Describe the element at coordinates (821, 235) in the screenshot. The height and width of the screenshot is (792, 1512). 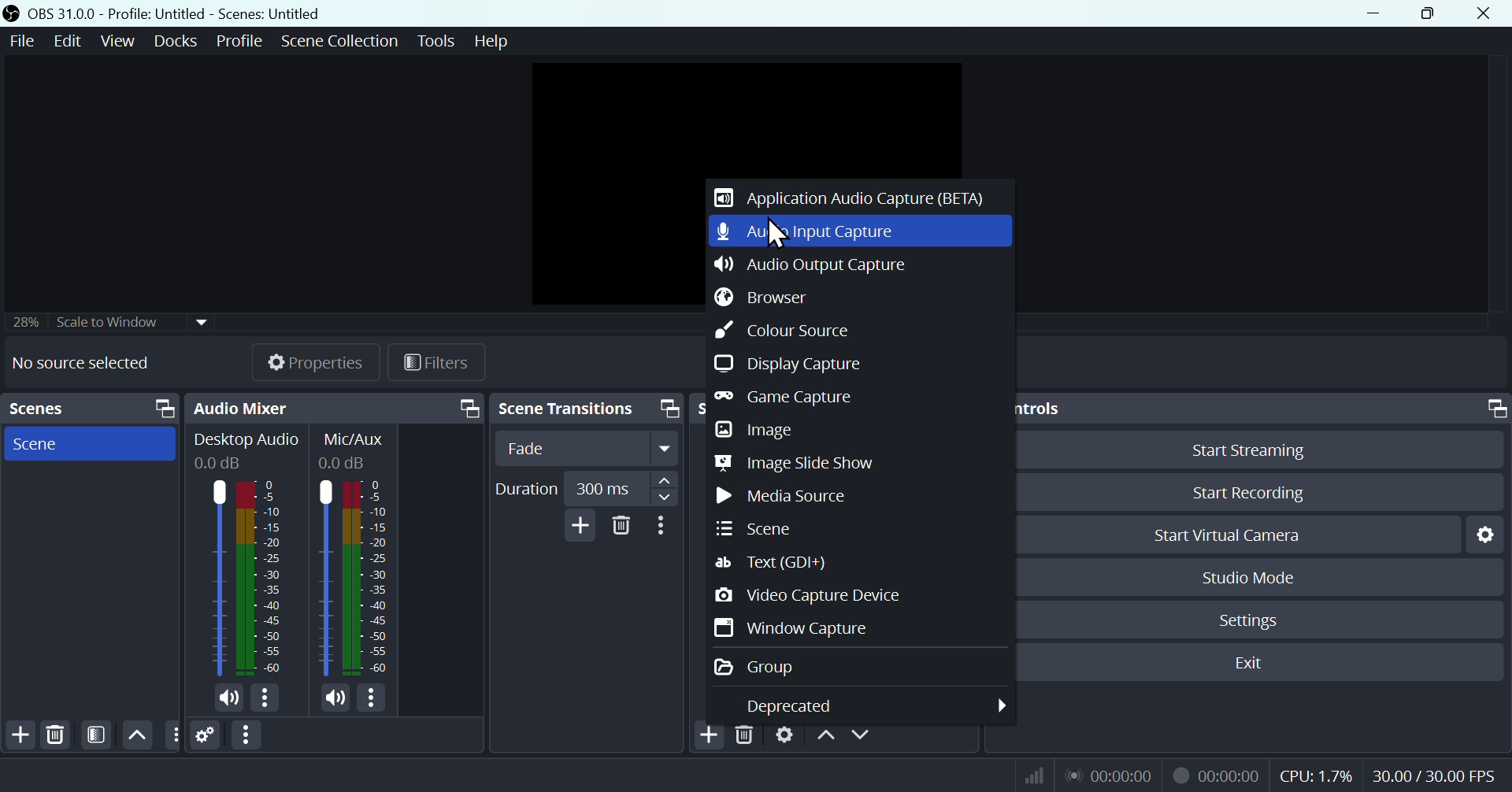
I see `Audio input capture` at that location.